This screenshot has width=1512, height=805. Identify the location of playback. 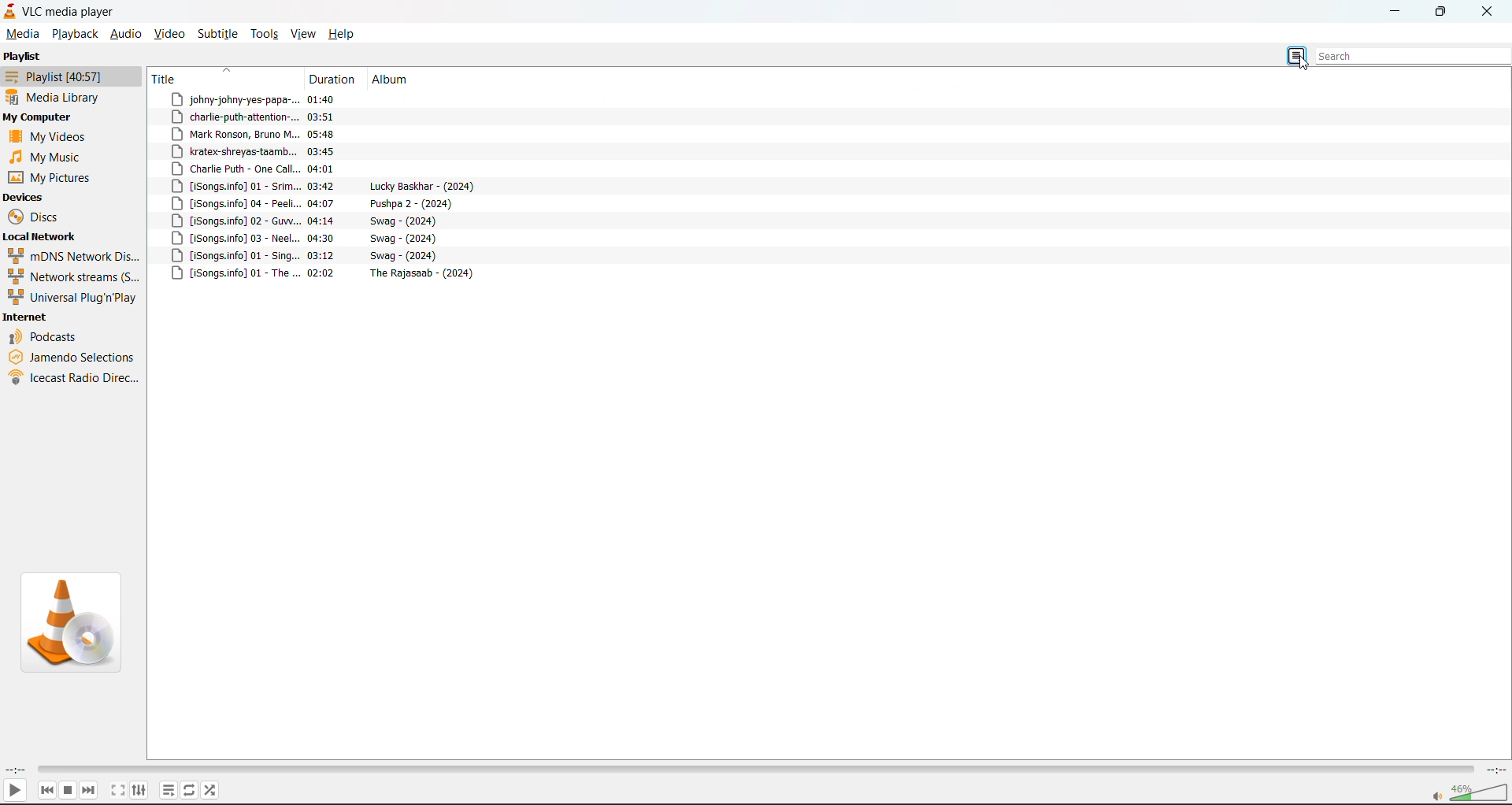
(76, 36).